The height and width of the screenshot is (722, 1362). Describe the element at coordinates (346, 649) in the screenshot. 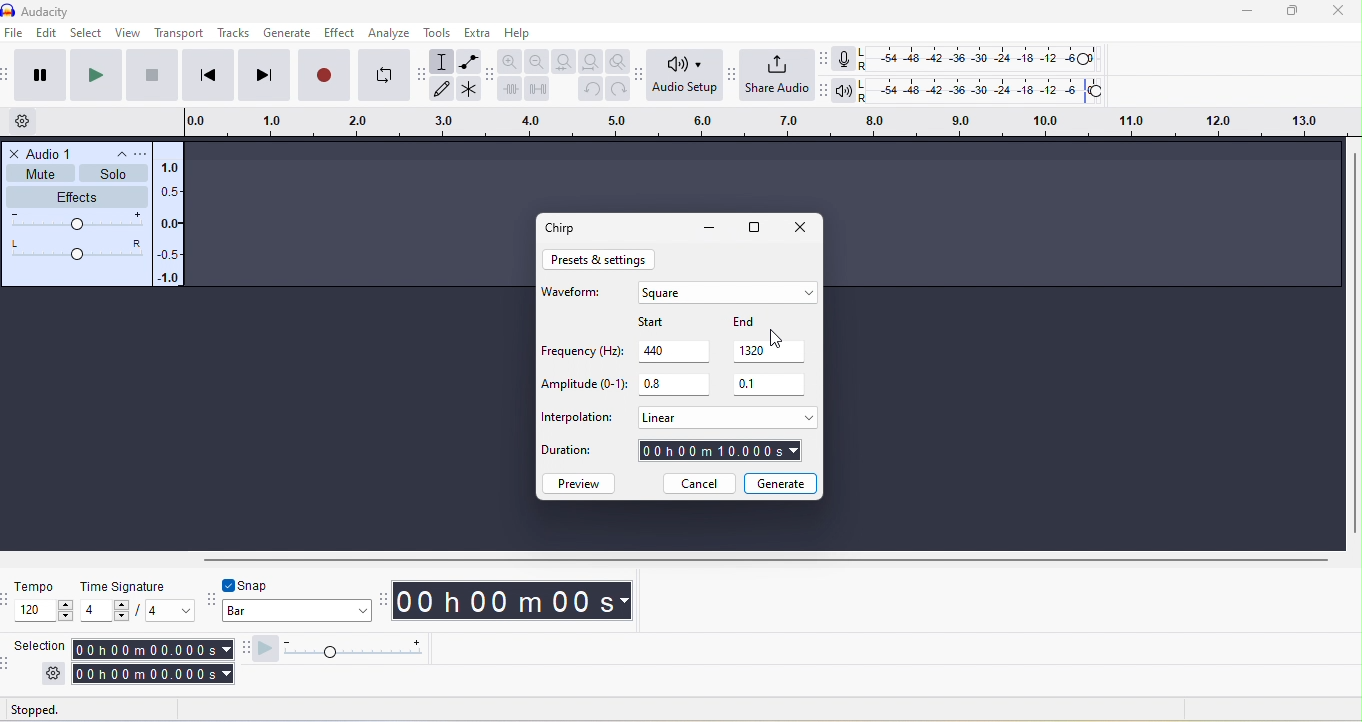

I see `play at speed` at that location.